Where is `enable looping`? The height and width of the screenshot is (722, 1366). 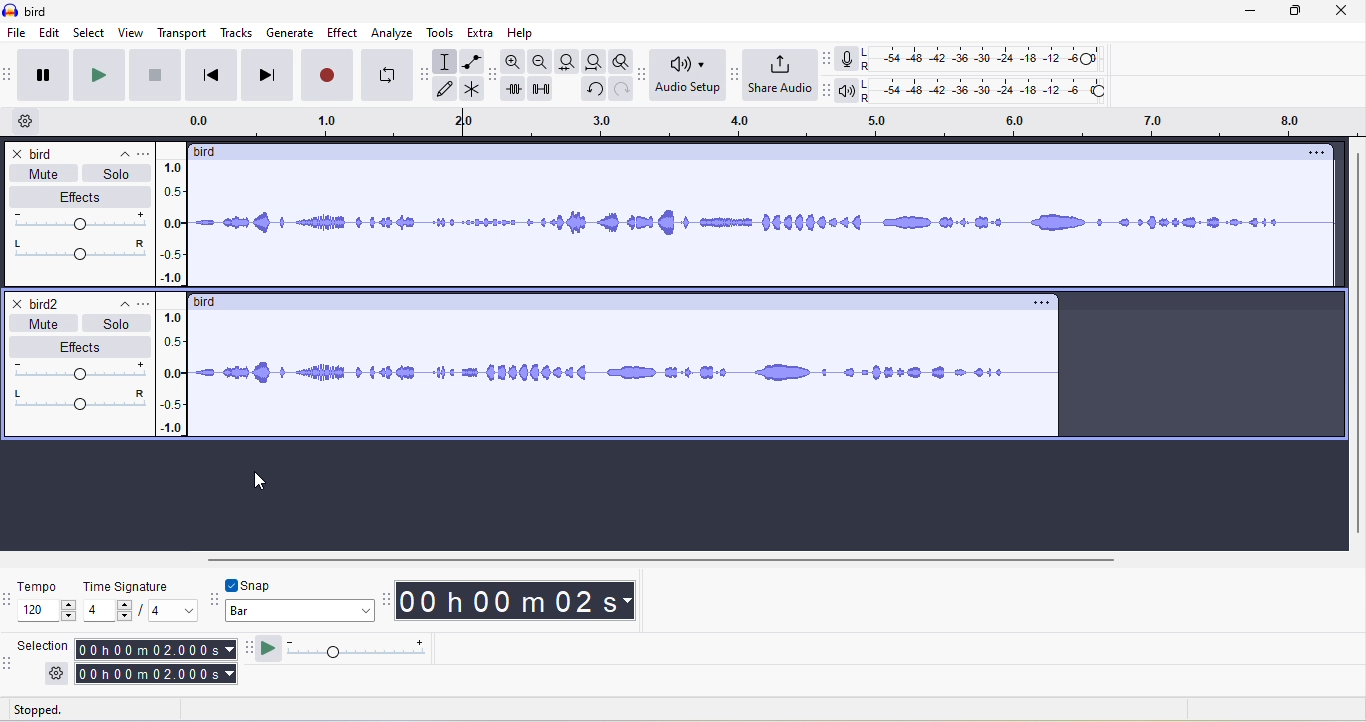
enable looping is located at coordinates (385, 75).